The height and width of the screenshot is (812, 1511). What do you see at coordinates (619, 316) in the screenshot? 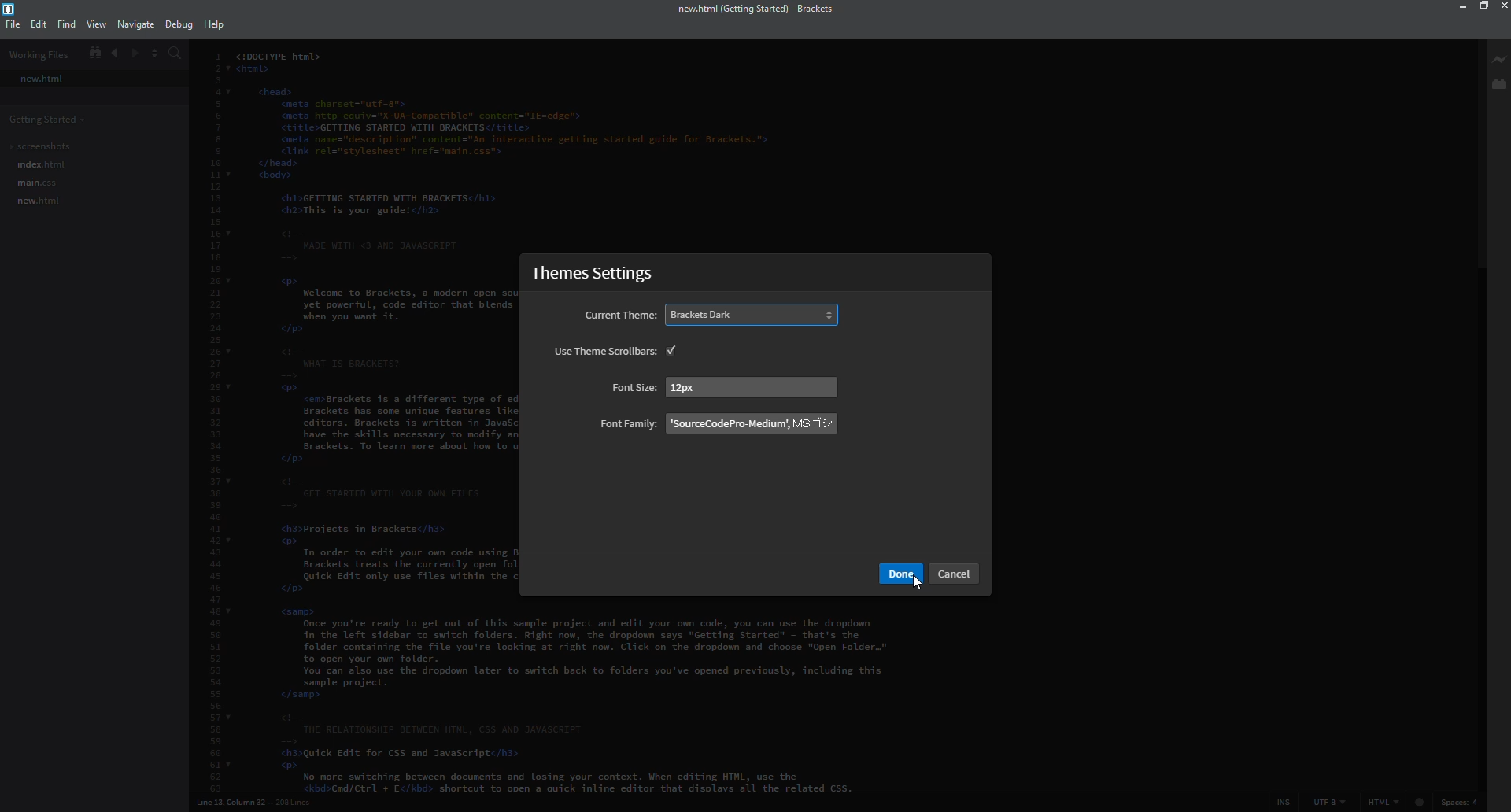
I see `current theme` at bounding box center [619, 316].